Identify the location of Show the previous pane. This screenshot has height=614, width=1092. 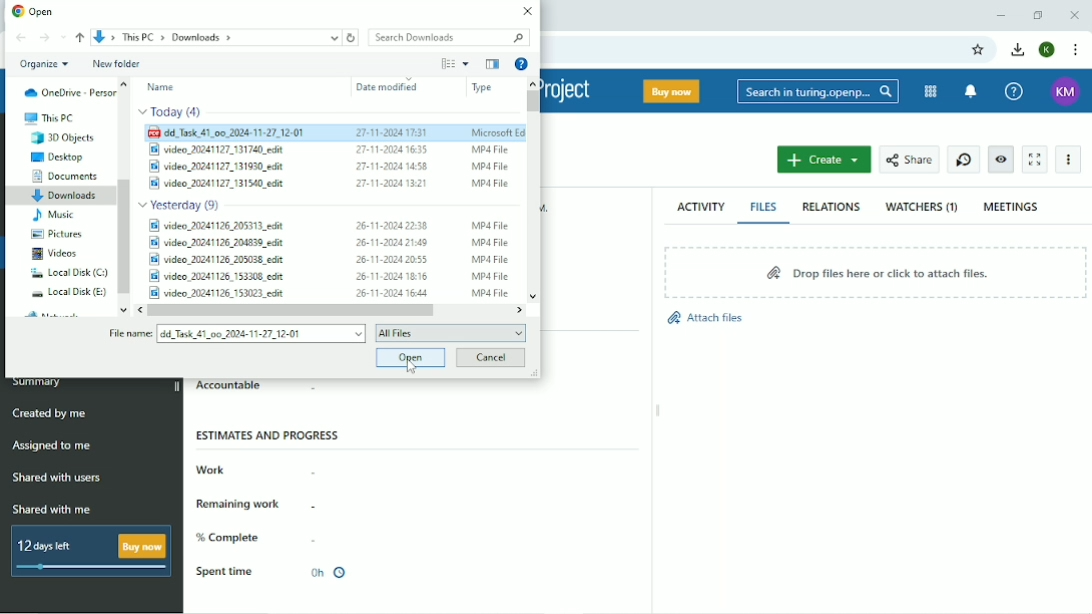
(492, 64).